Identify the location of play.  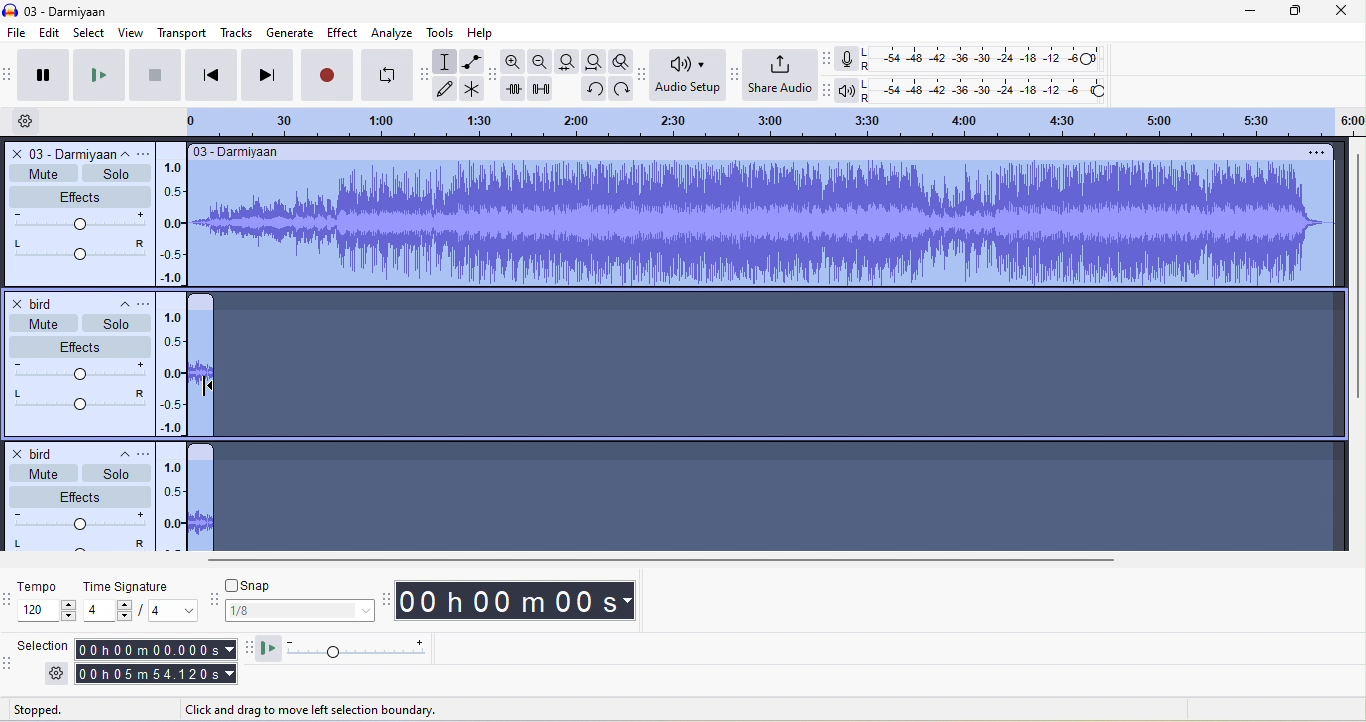
(96, 76).